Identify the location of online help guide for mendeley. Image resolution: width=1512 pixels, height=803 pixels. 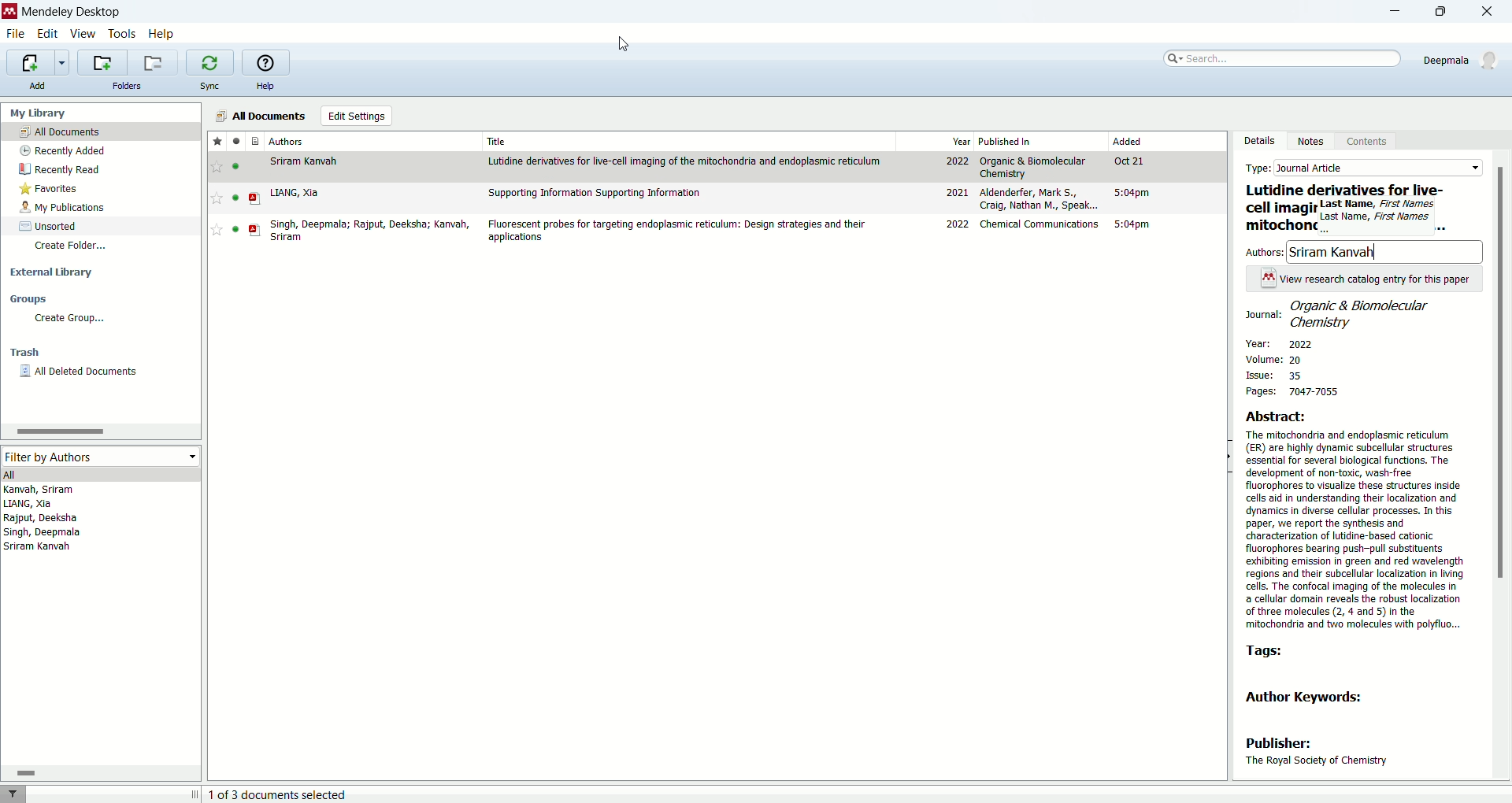
(266, 62).